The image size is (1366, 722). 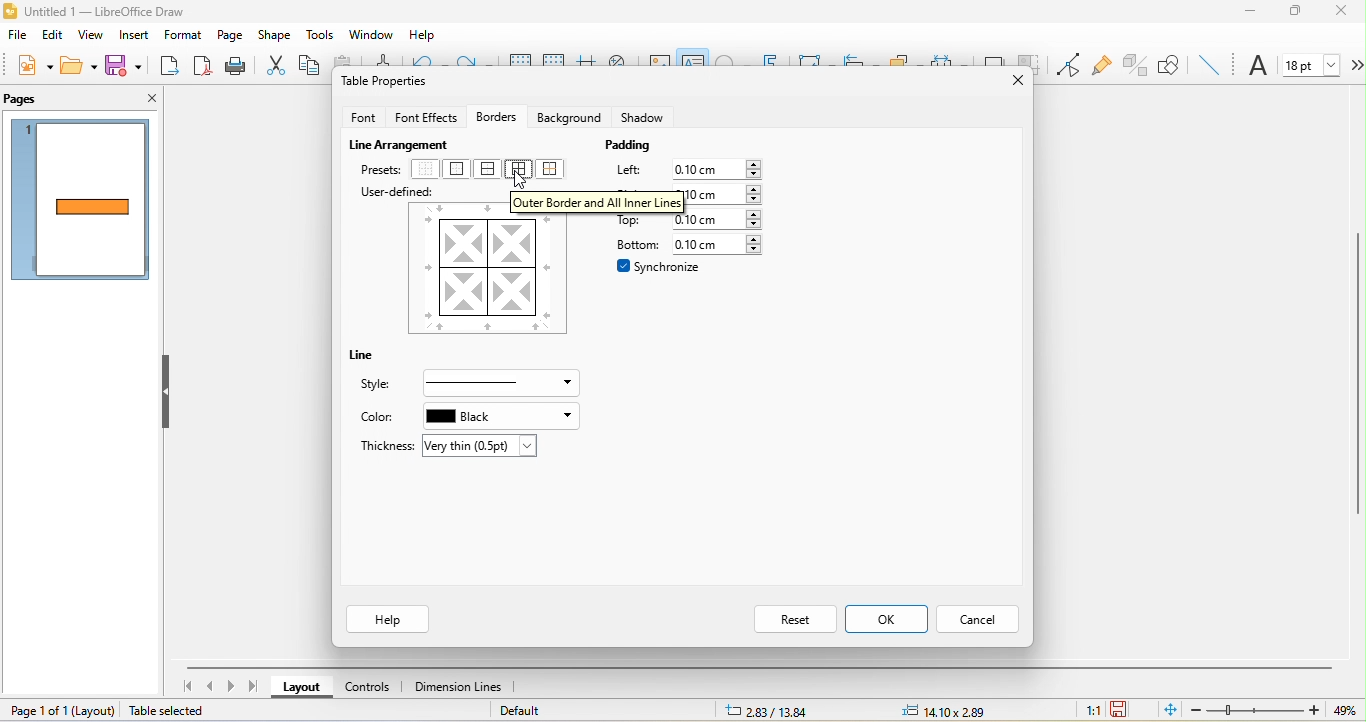 What do you see at coordinates (596, 202) in the screenshot?
I see `outer border and all inner lines` at bounding box center [596, 202].